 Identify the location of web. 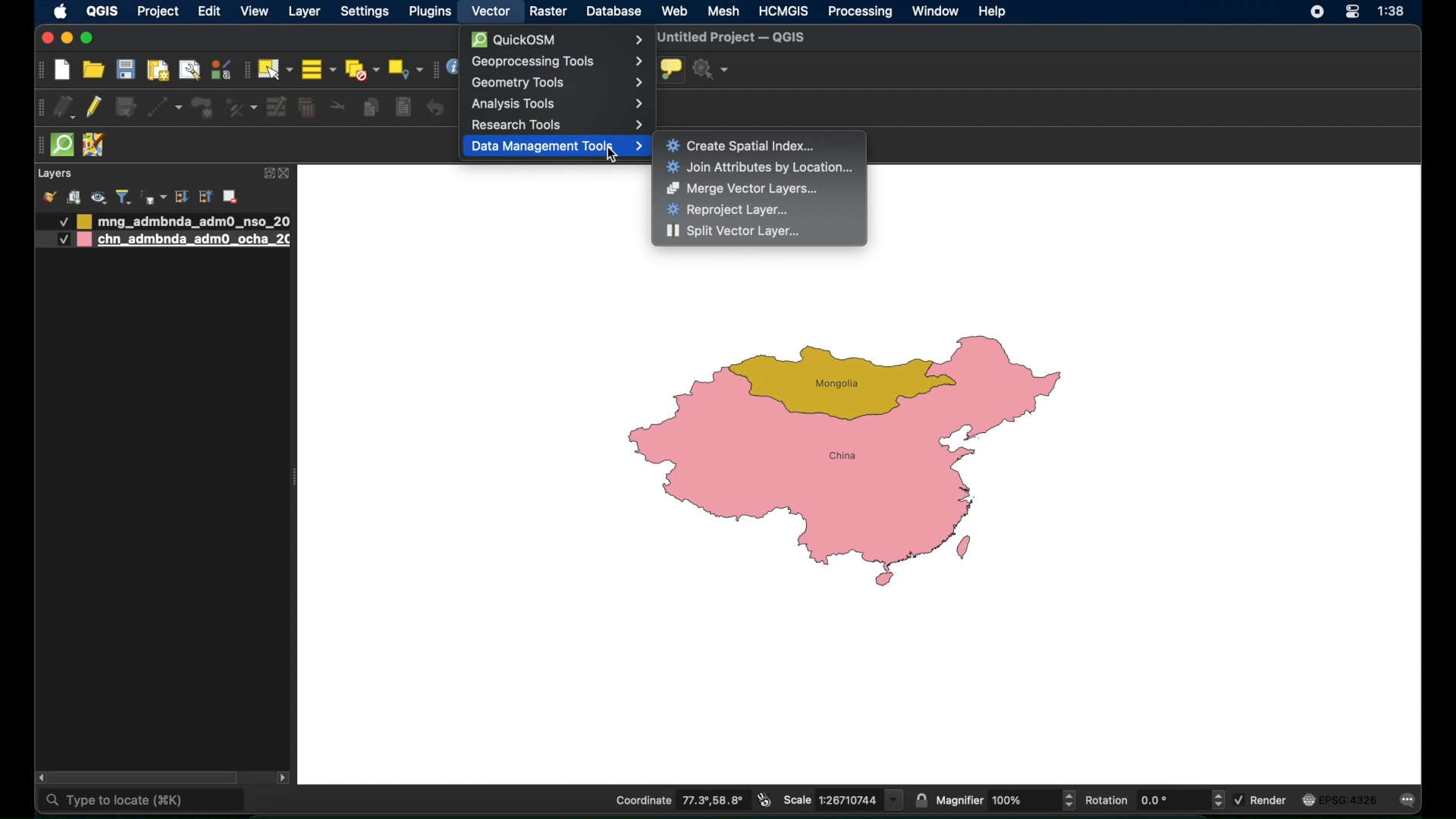
(675, 11).